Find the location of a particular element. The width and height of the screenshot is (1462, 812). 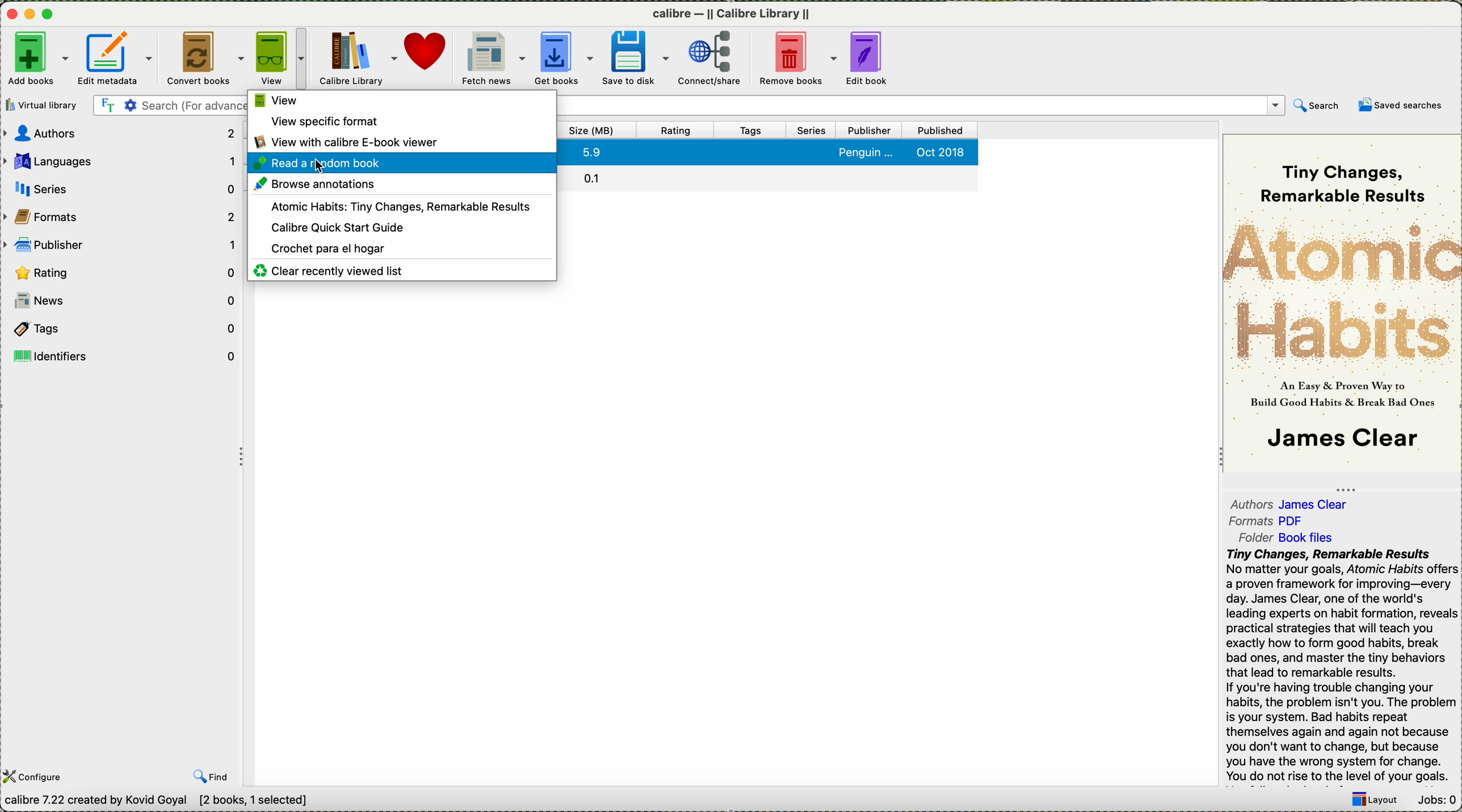

saved searches is located at coordinates (1401, 106).